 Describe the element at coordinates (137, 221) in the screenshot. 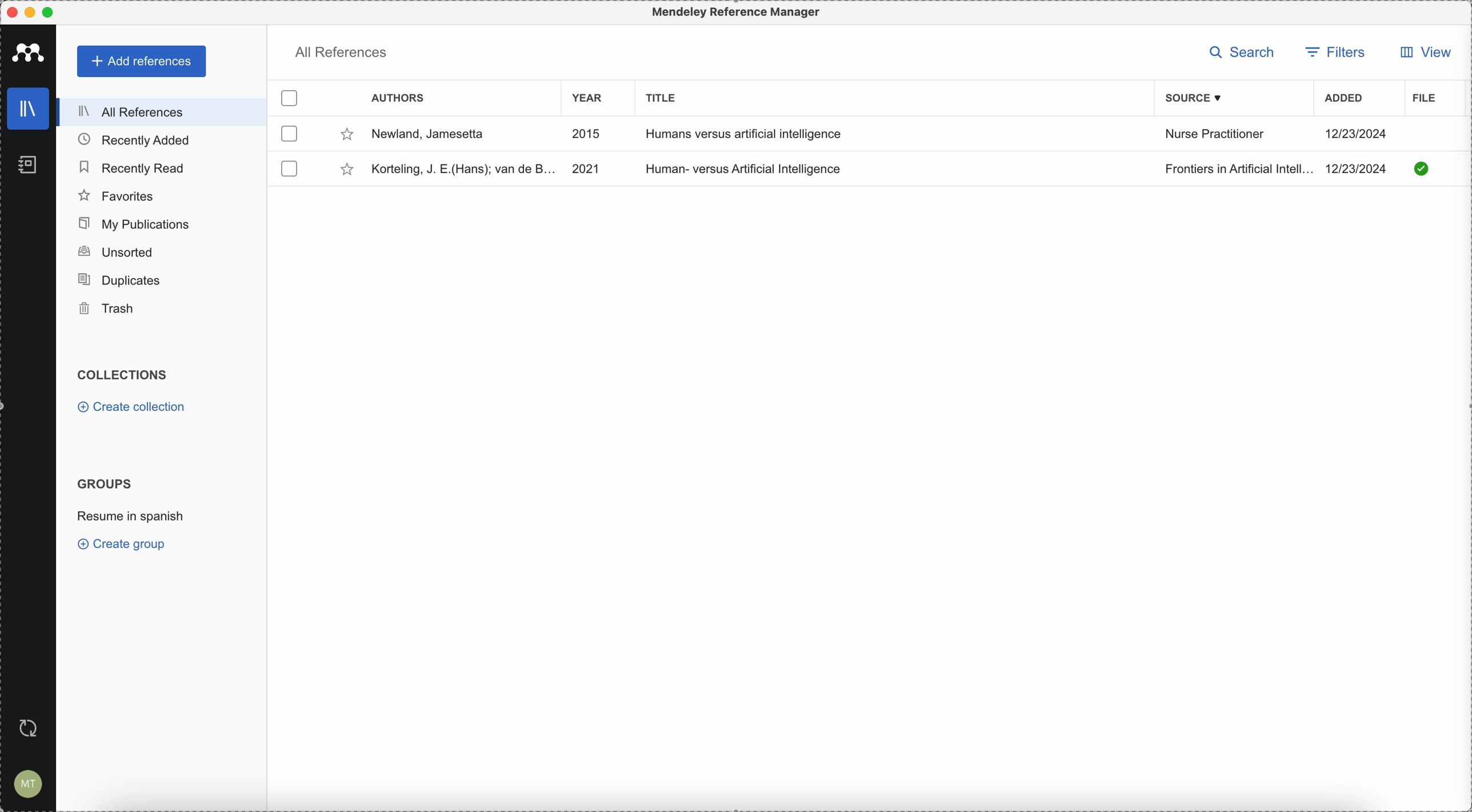

I see `my publications` at that location.